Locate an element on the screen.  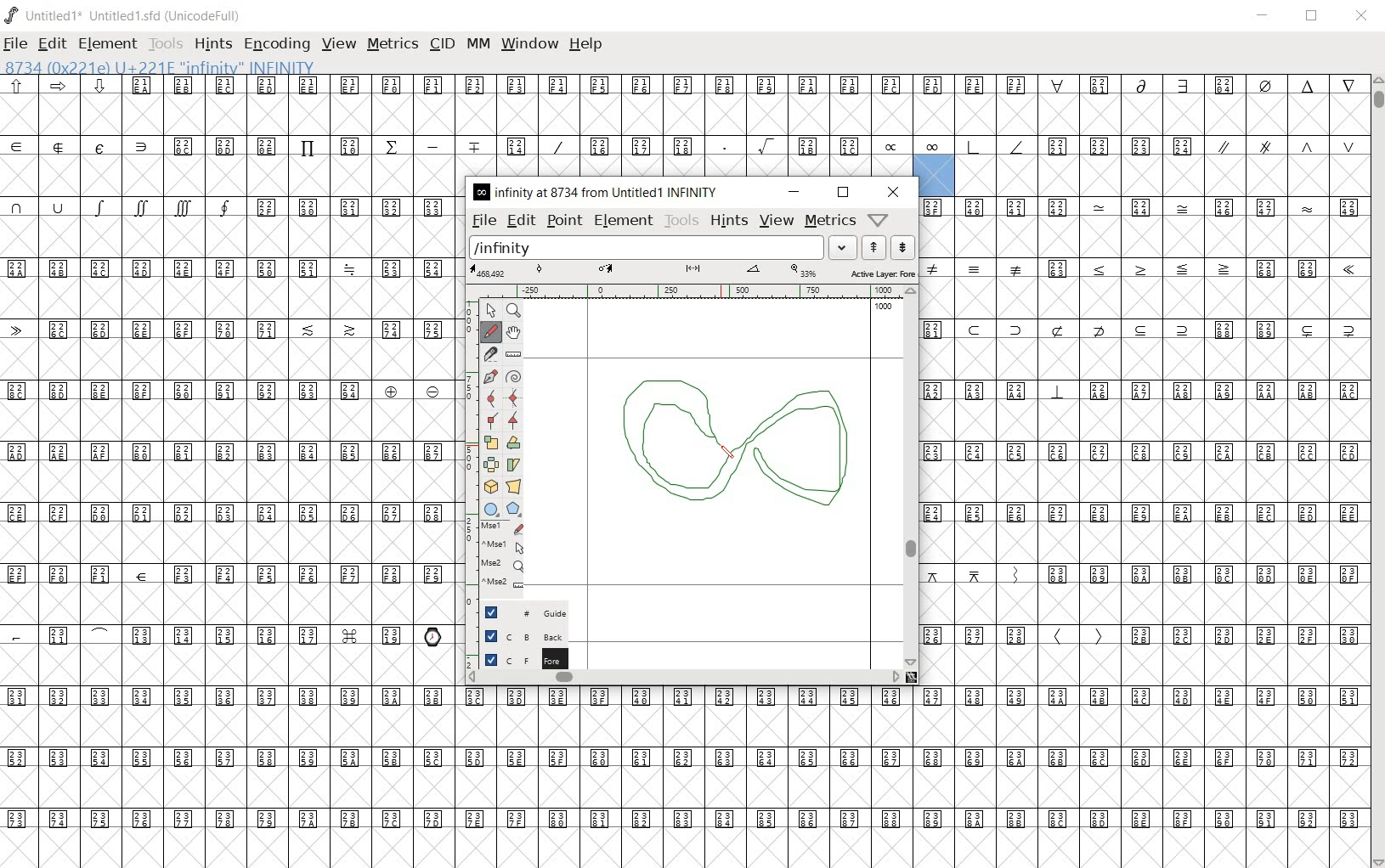
hints is located at coordinates (213, 42).